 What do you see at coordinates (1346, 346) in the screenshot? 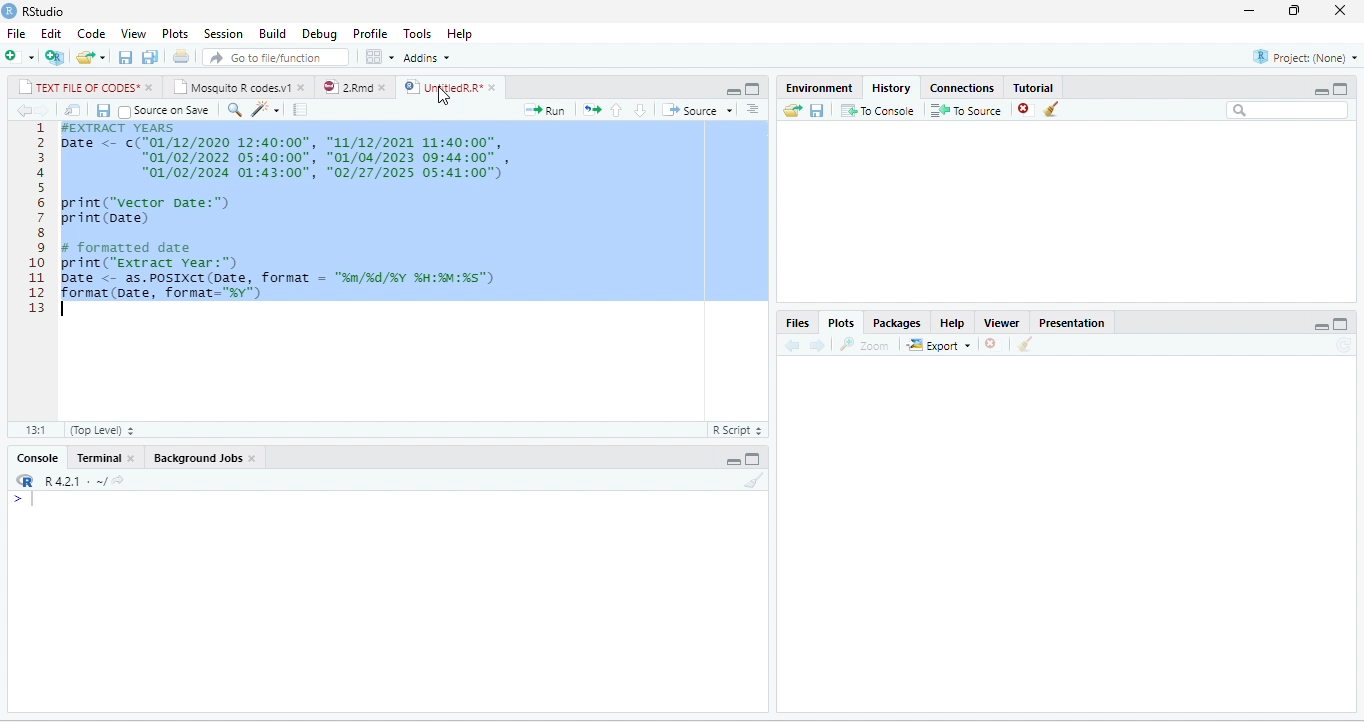
I see `refresh` at bounding box center [1346, 346].